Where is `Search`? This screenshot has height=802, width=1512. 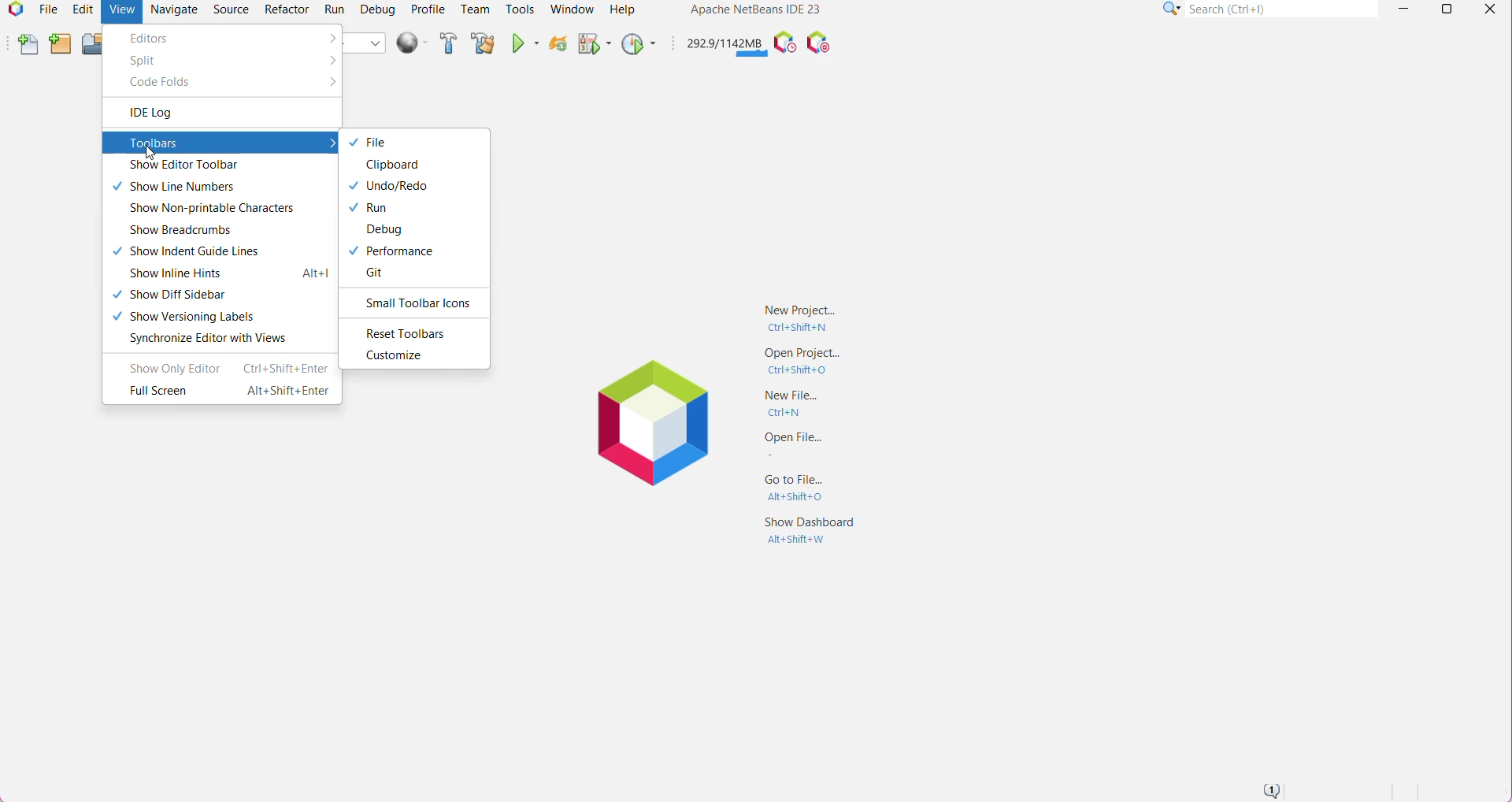 Search is located at coordinates (1283, 9).